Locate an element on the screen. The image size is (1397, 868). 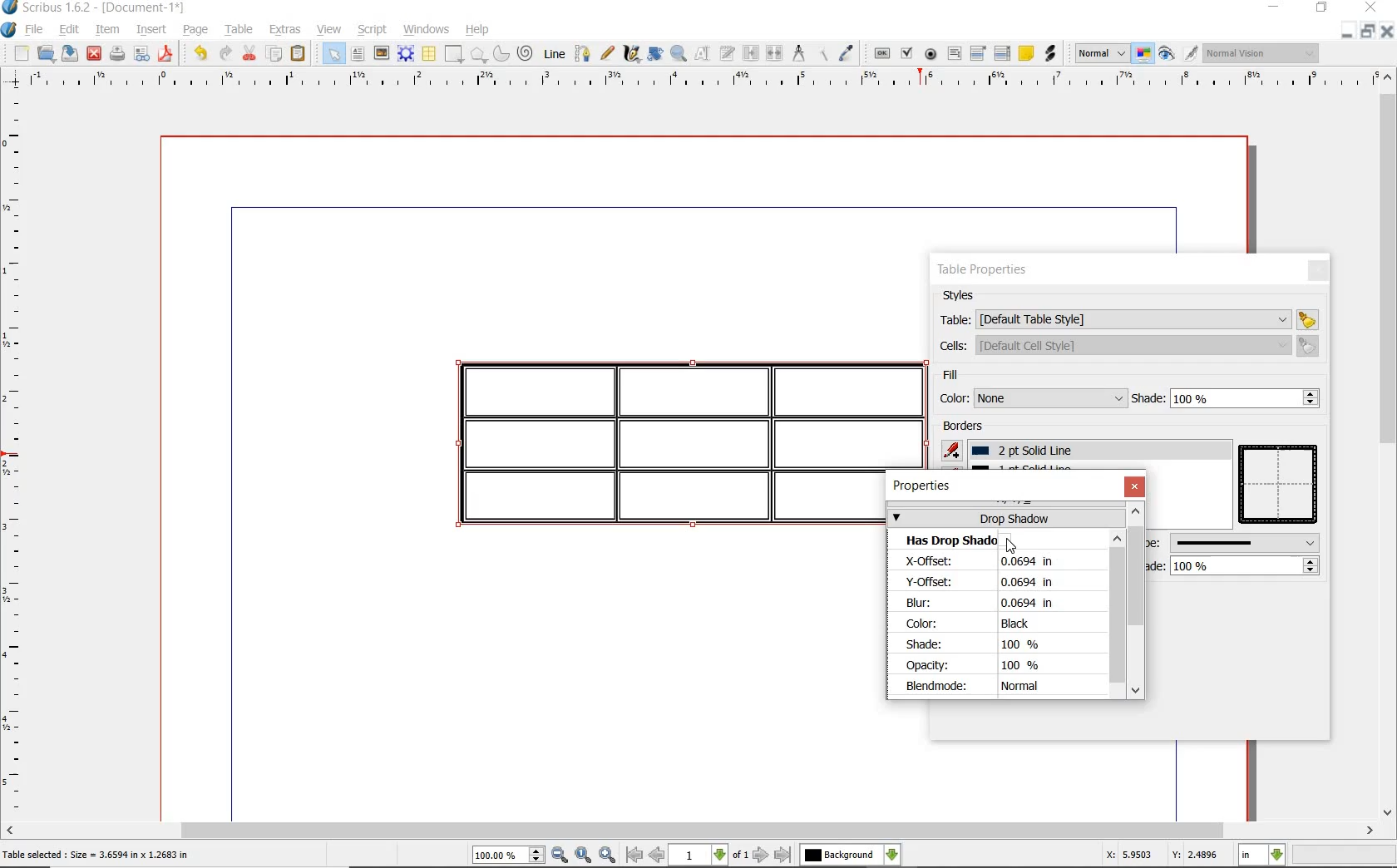
link text frame is located at coordinates (750, 53).